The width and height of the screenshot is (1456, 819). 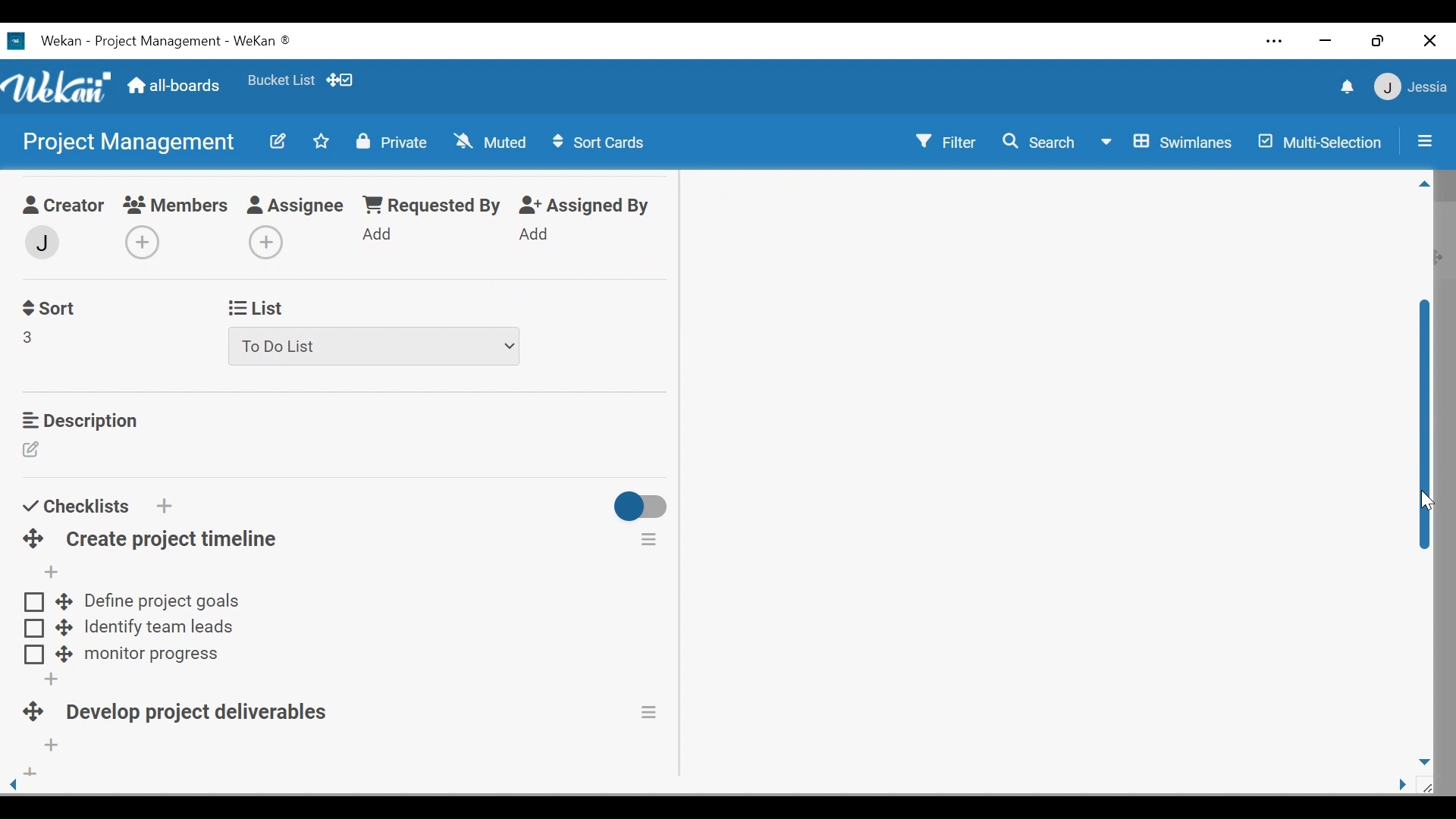 What do you see at coordinates (1276, 41) in the screenshot?
I see `Settings and more` at bounding box center [1276, 41].